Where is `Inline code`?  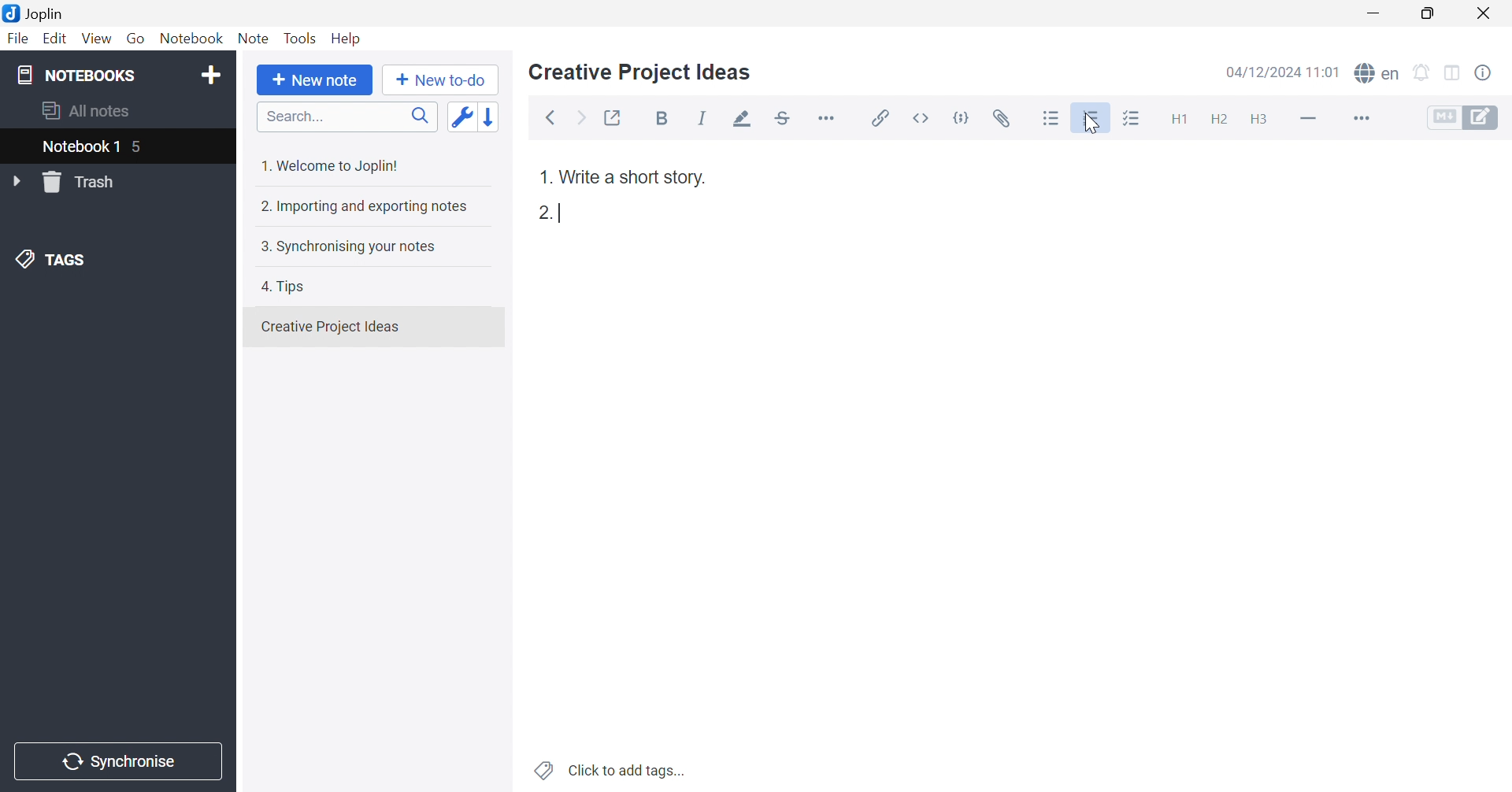 Inline code is located at coordinates (919, 117).